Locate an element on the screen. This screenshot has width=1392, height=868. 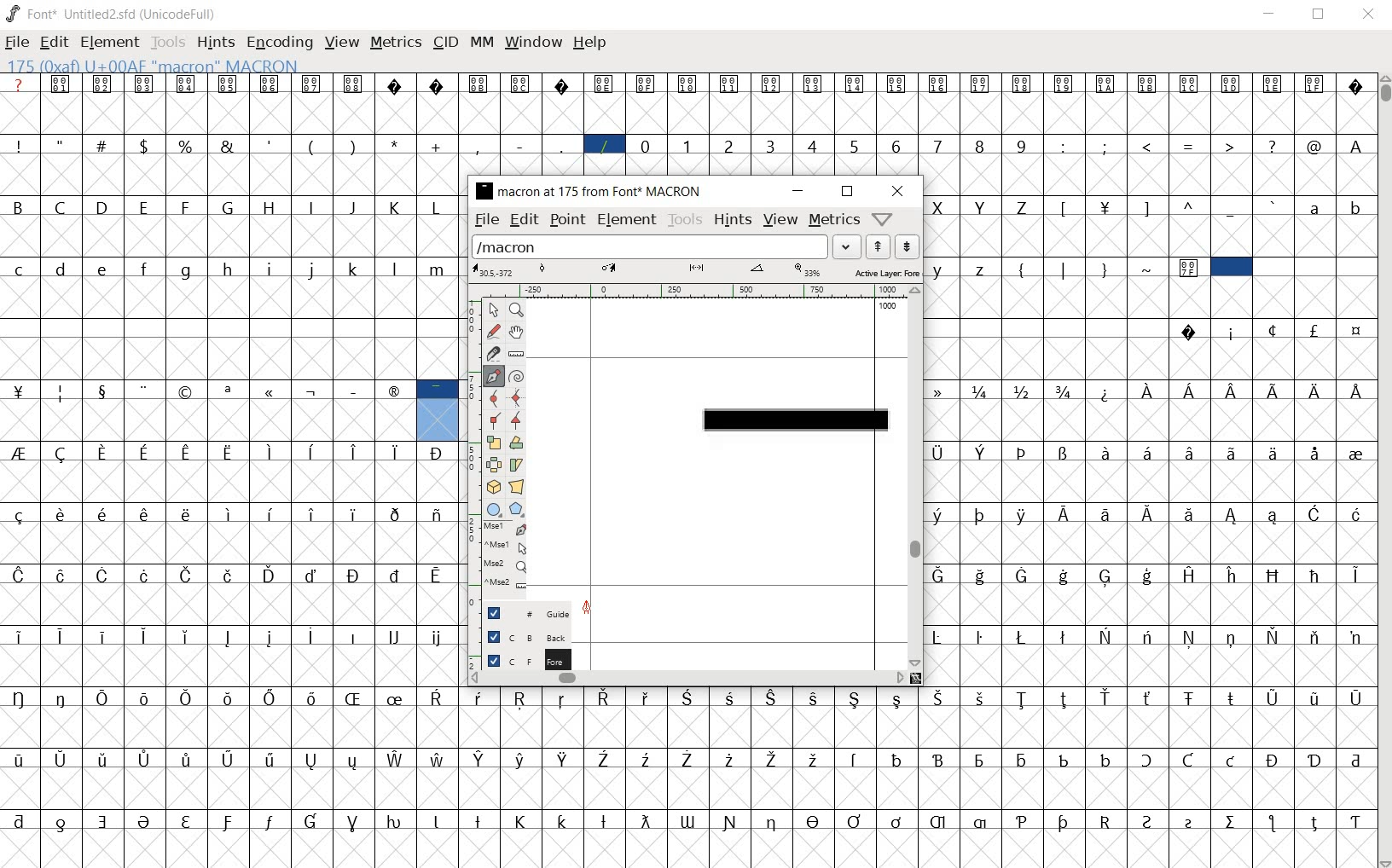
b is located at coordinates (1354, 207).